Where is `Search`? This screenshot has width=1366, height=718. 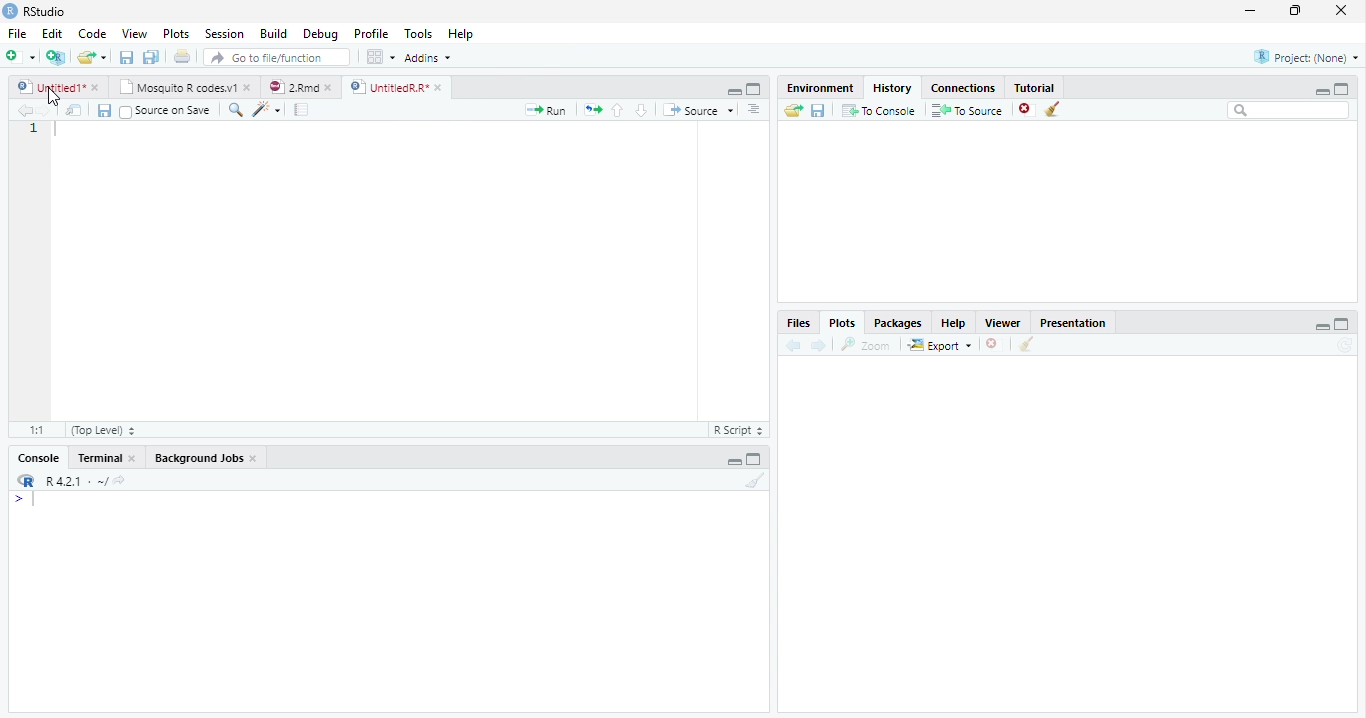 Search is located at coordinates (1289, 111).